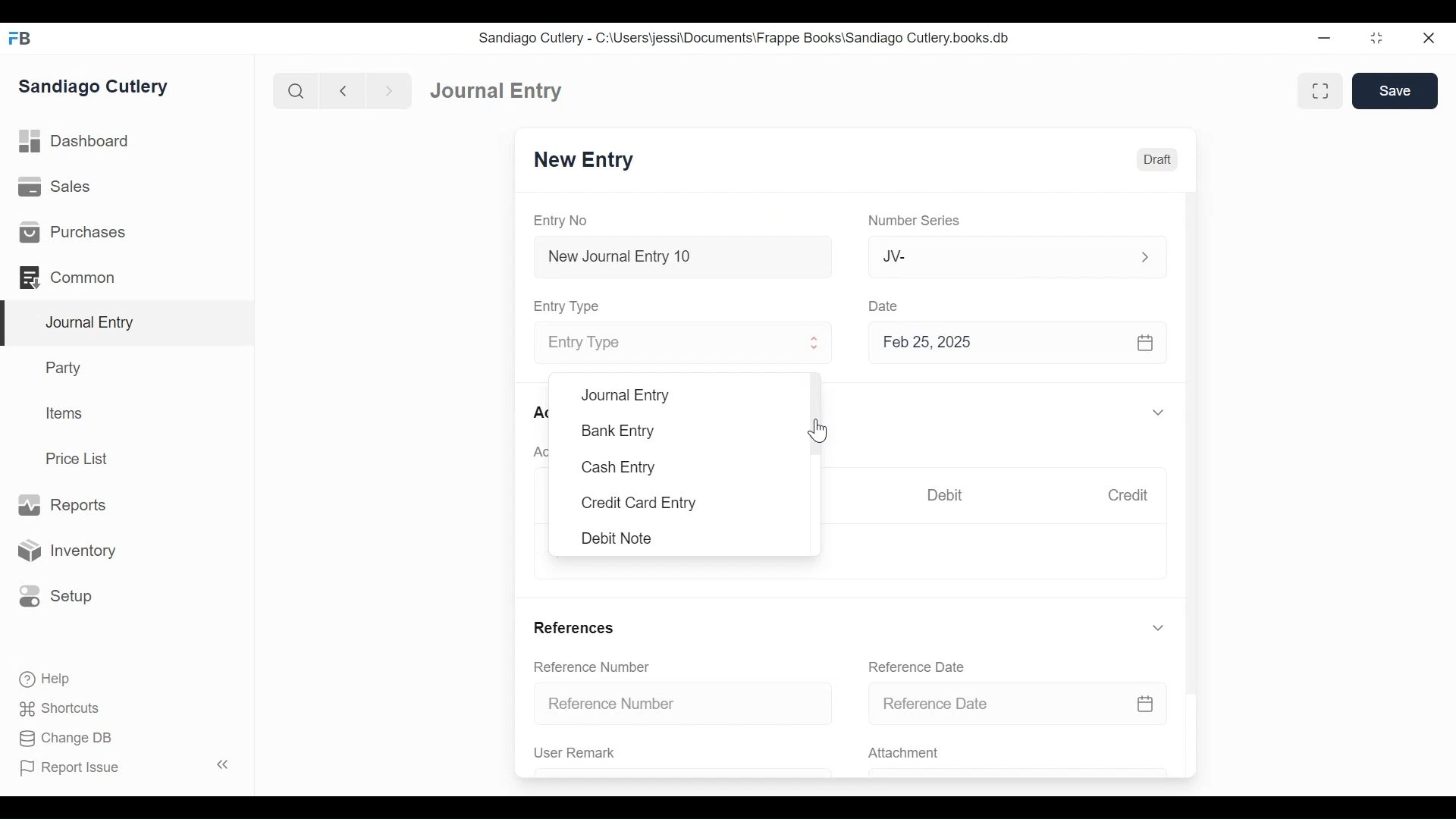 This screenshot has height=819, width=1456. What do you see at coordinates (747, 39) in the screenshot?
I see `Sandiago Cutlery - C:\Users\jessi\Documents\Frappe Books\Sandiago Cutlery.books.db` at bounding box center [747, 39].